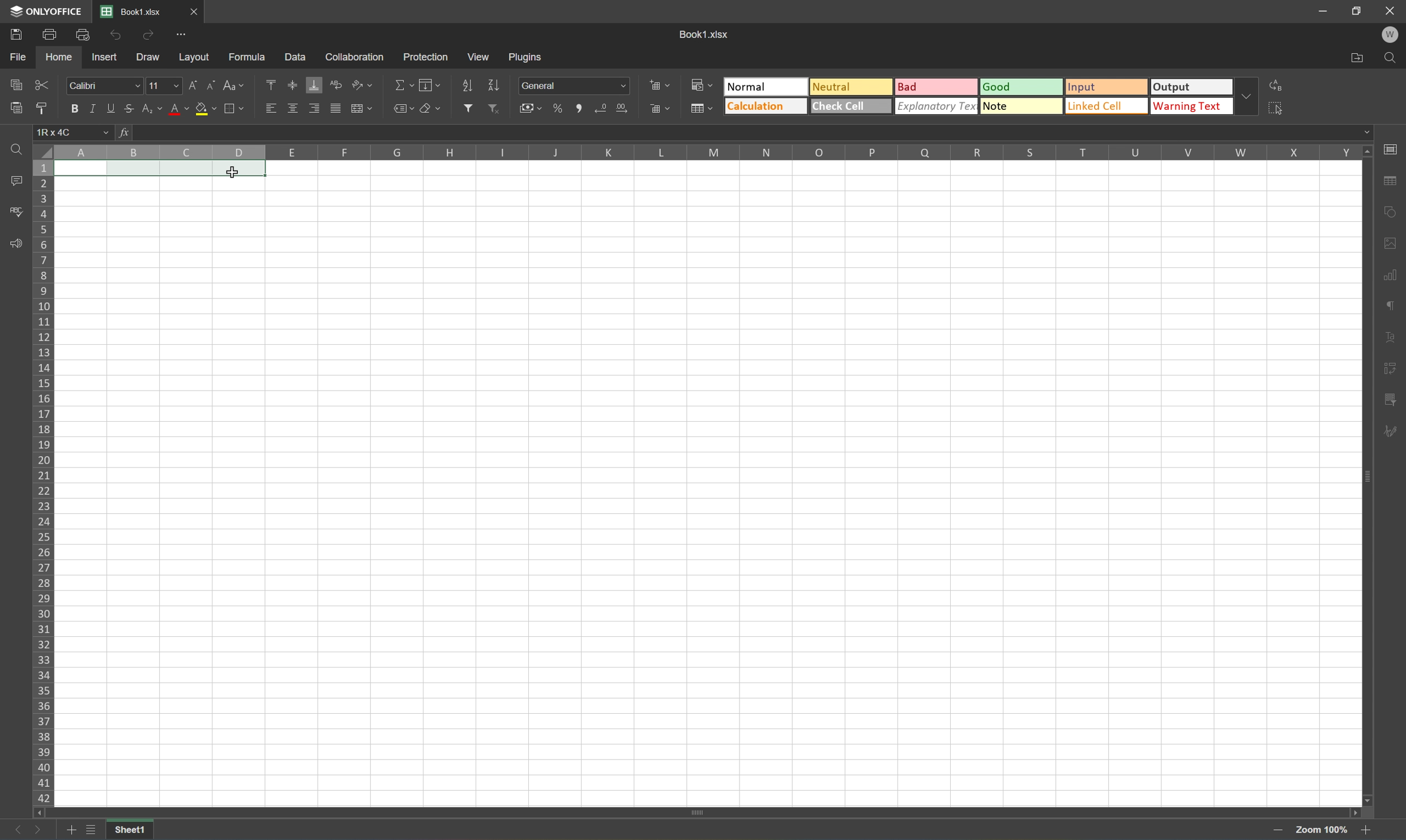  Describe the element at coordinates (117, 35) in the screenshot. I see `Undo` at that location.